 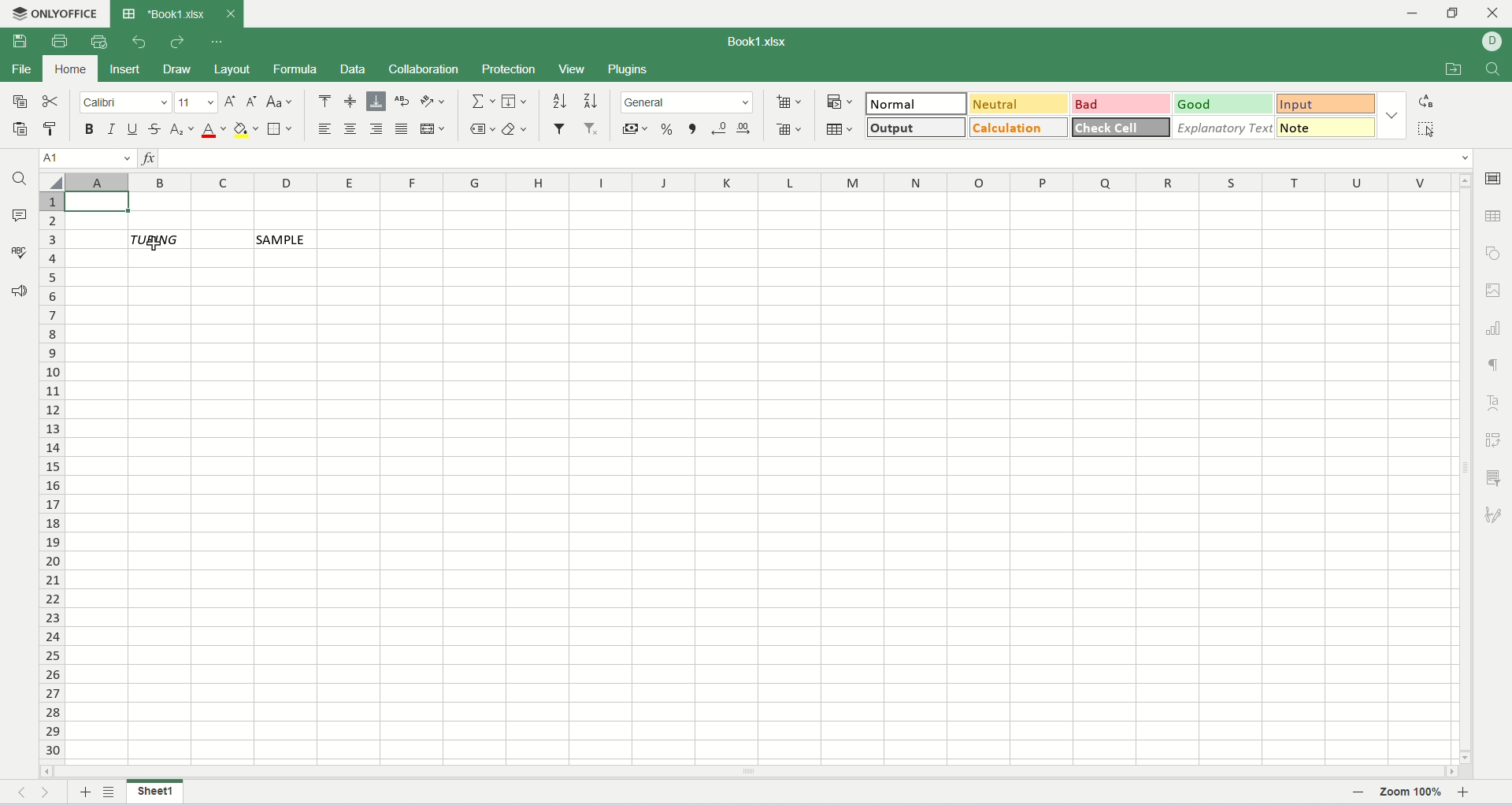 What do you see at coordinates (21, 69) in the screenshot?
I see `file` at bounding box center [21, 69].